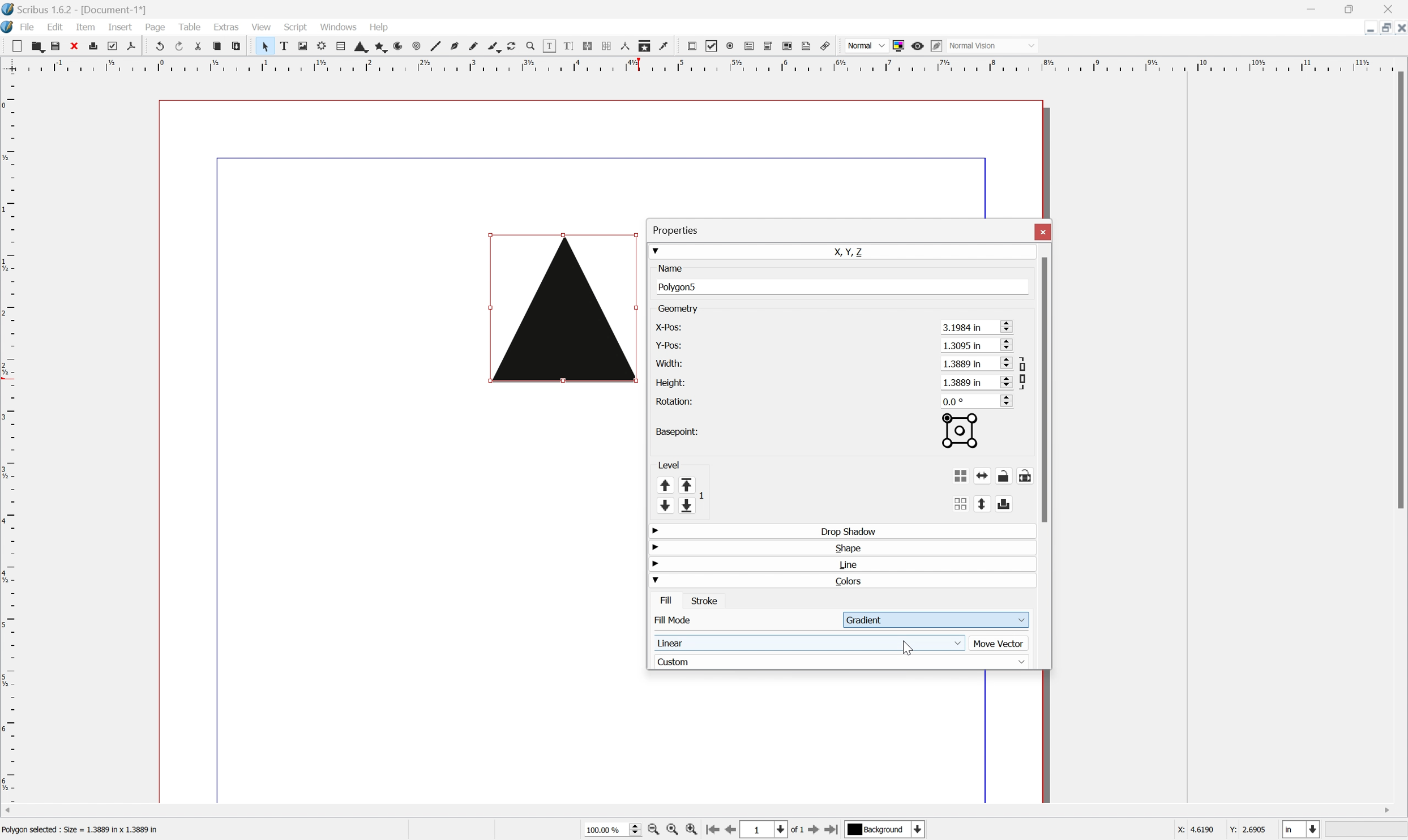 This screenshot has width=1408, height=840. What do you see at coordinates (1018, 325) in the screenshot?
I see `Scroll` at bounding box center [1018, 325].